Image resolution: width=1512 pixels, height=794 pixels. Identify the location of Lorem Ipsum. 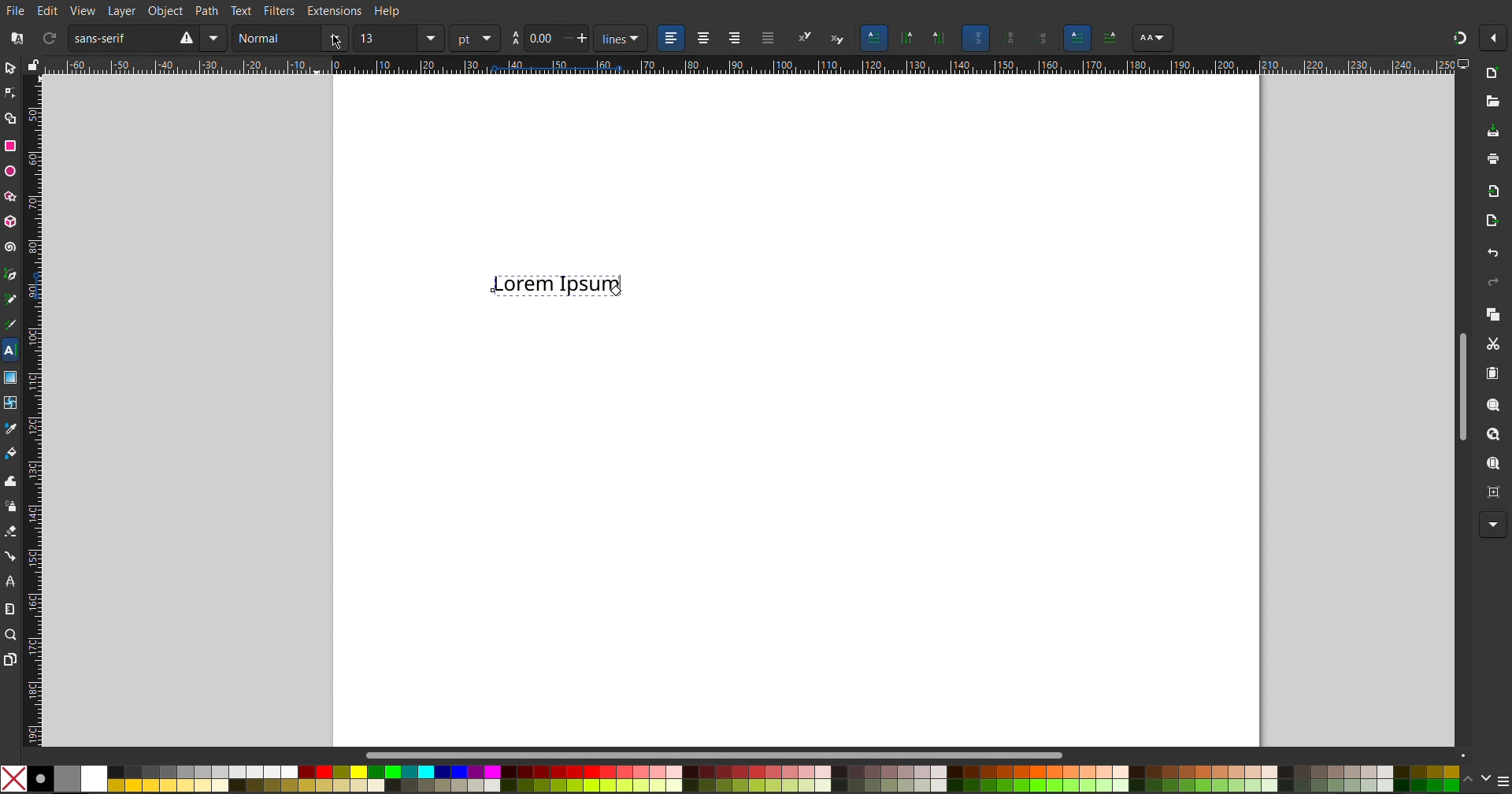
(556, 288).